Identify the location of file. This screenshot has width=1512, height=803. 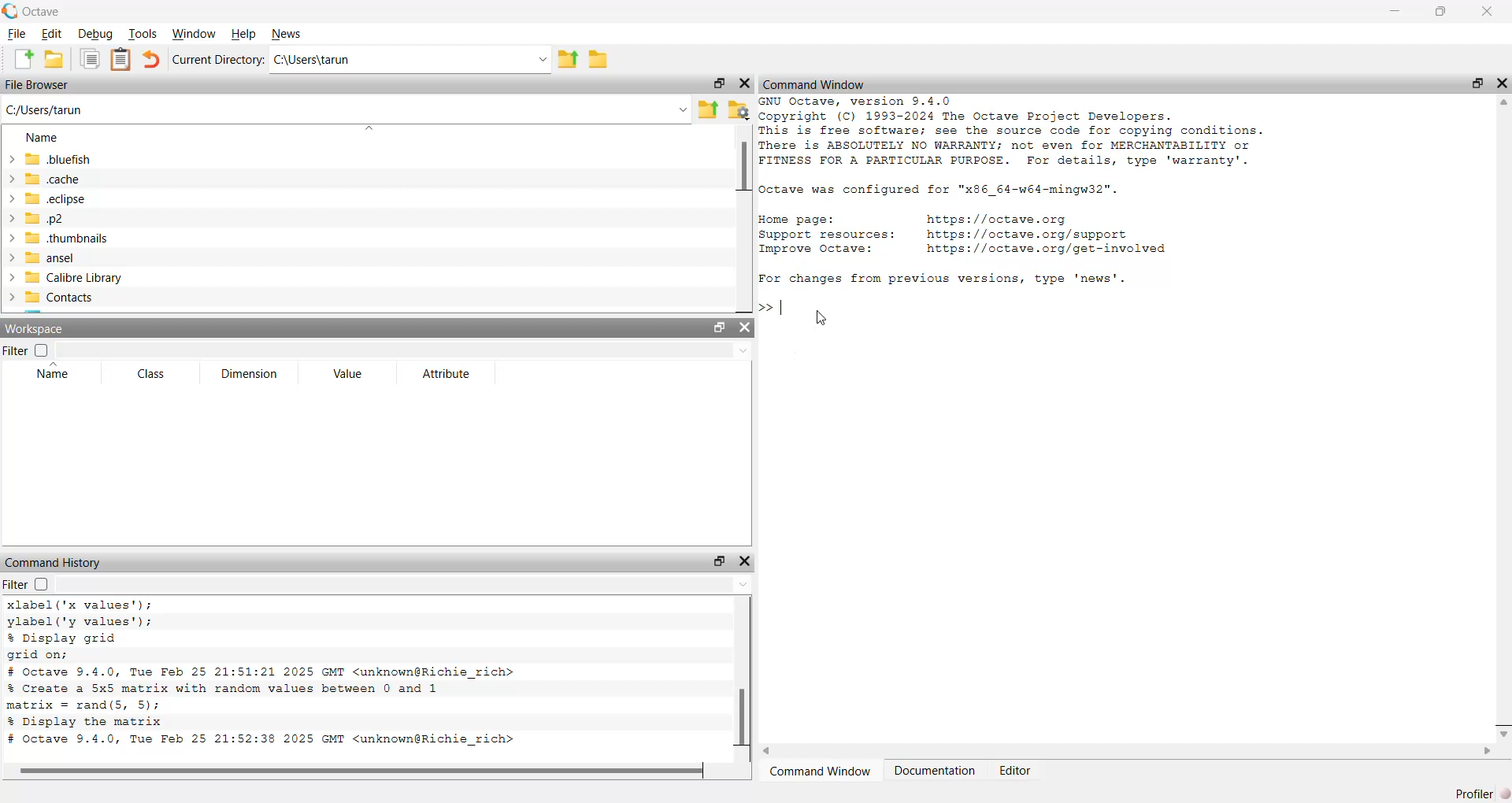
(600, 61).